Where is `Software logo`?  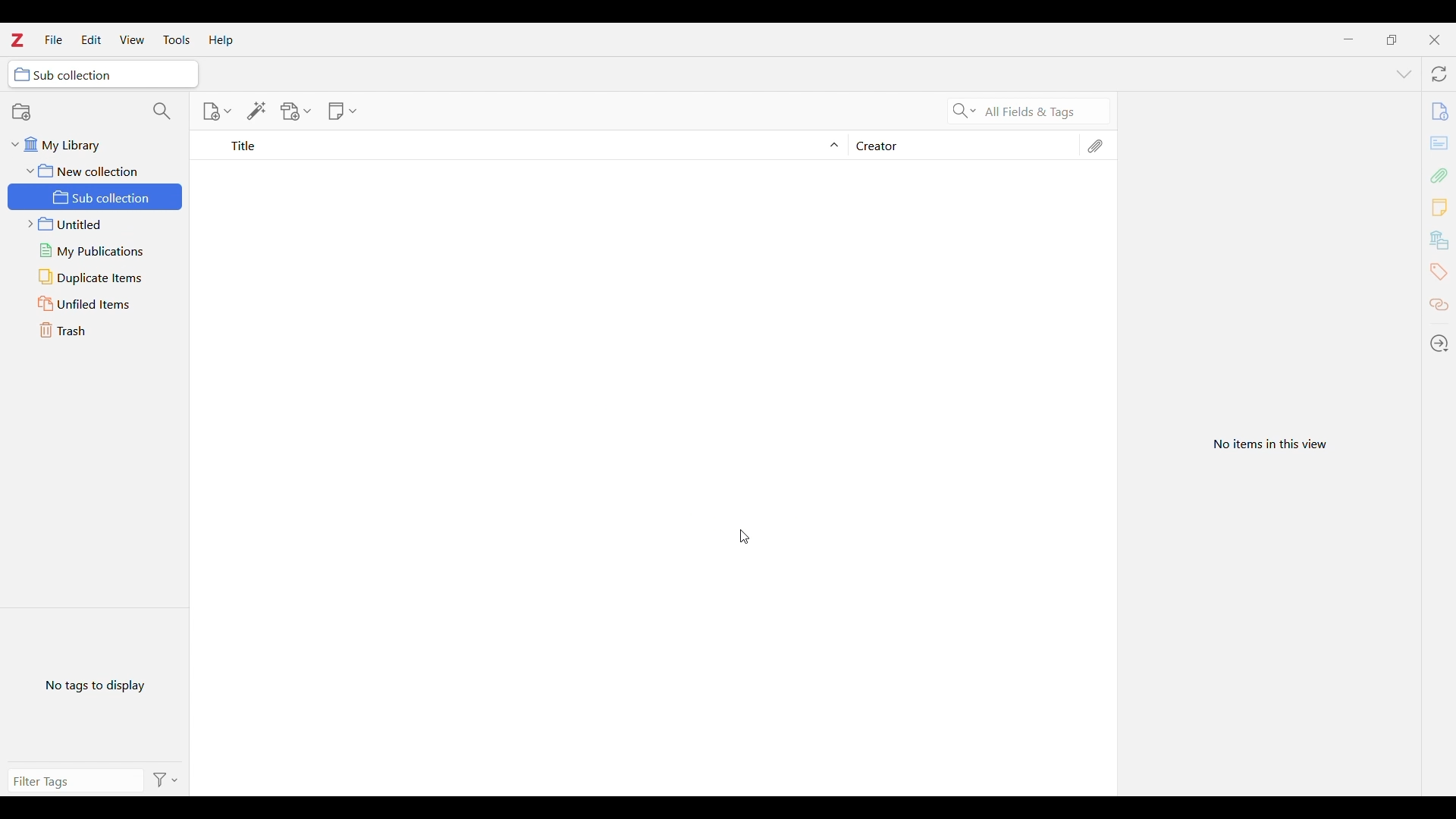
Software logo is located at coordinates (17, 40).